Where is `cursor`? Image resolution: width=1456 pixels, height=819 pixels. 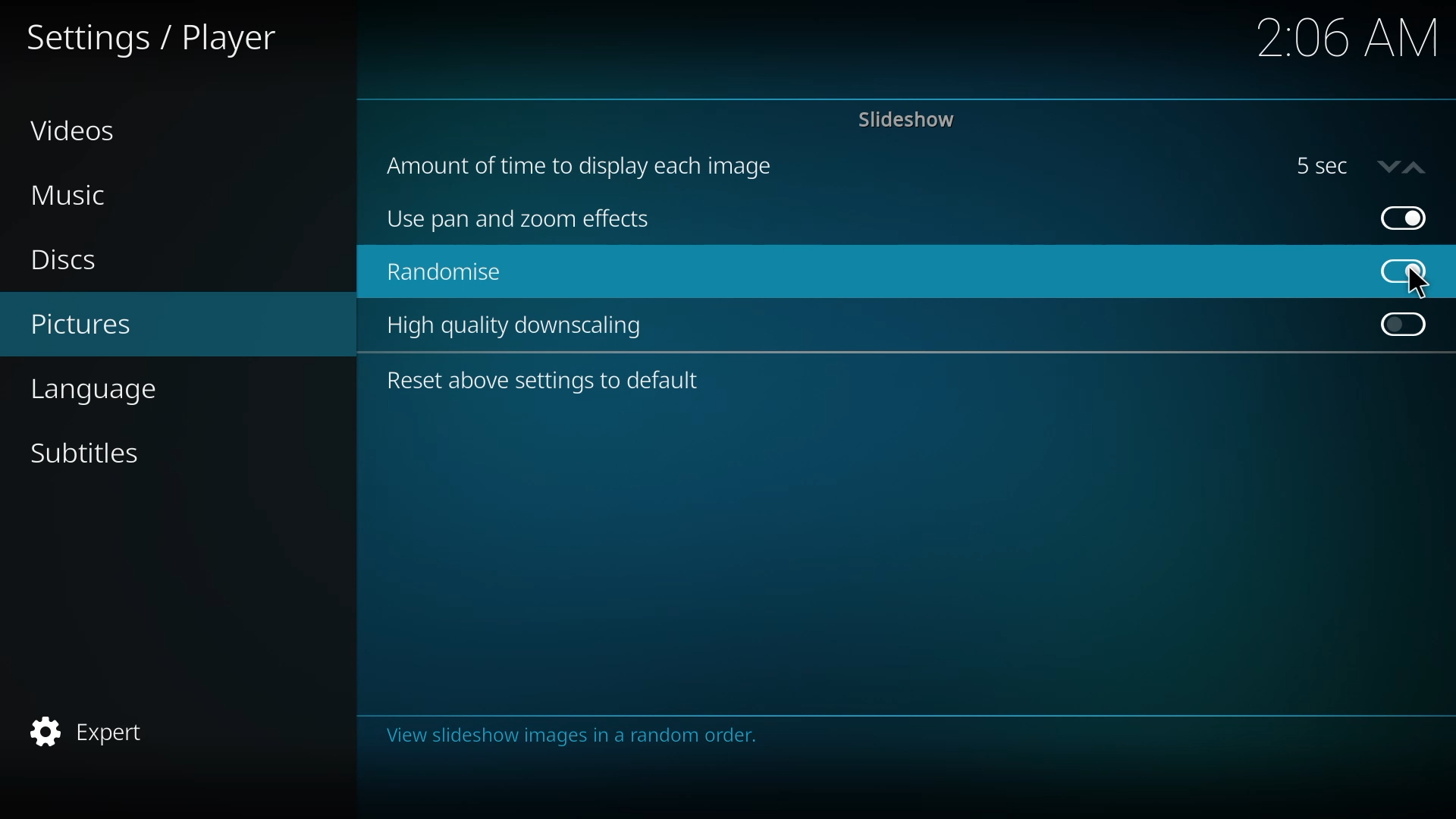 cursor is located at coordinates (1415, 284).